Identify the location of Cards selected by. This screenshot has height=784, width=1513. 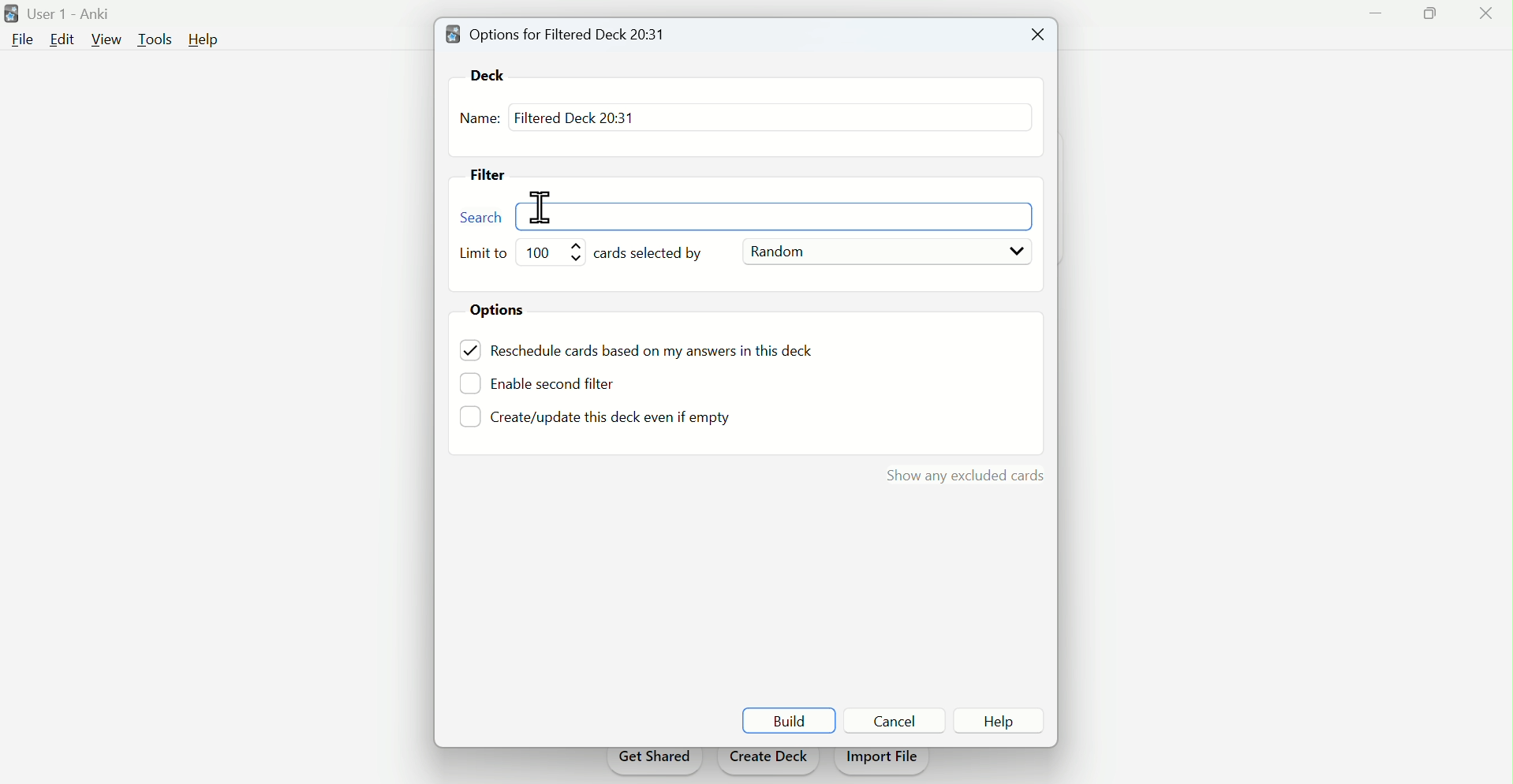
(657, 254).